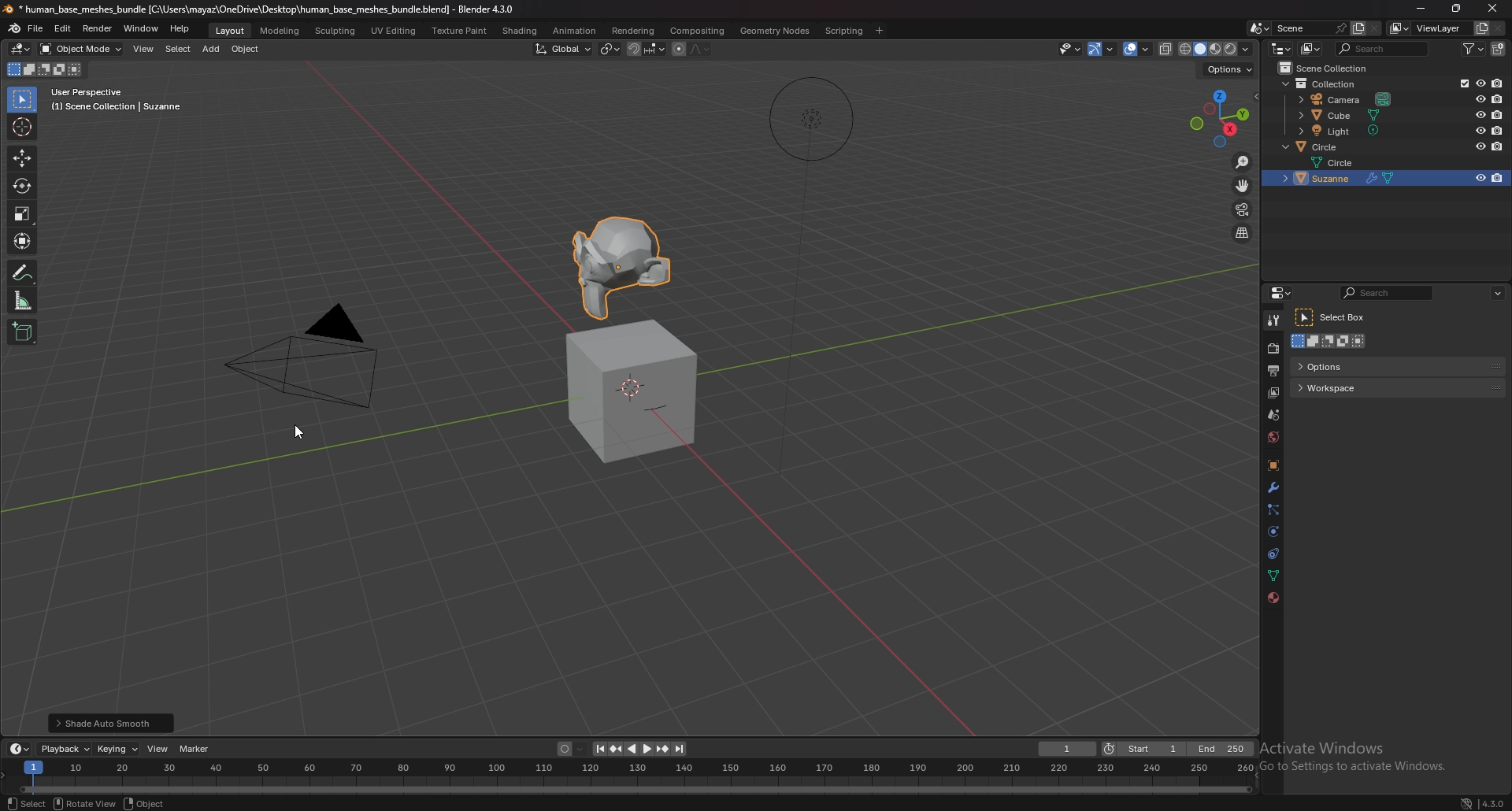  I want to click on snapping, so click(646, 49).